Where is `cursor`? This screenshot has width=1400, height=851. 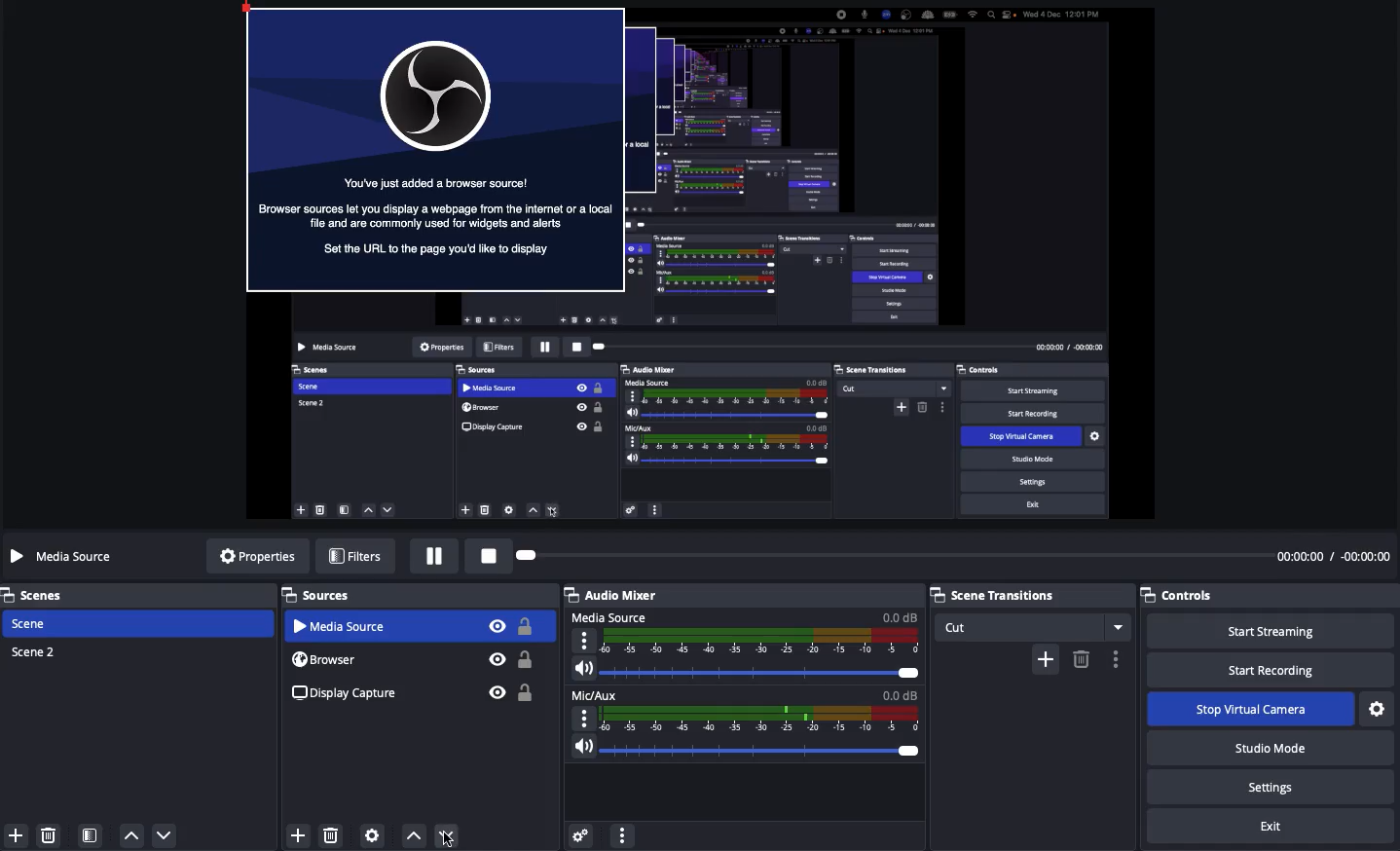
cursor is located at coordinates (457, 840).